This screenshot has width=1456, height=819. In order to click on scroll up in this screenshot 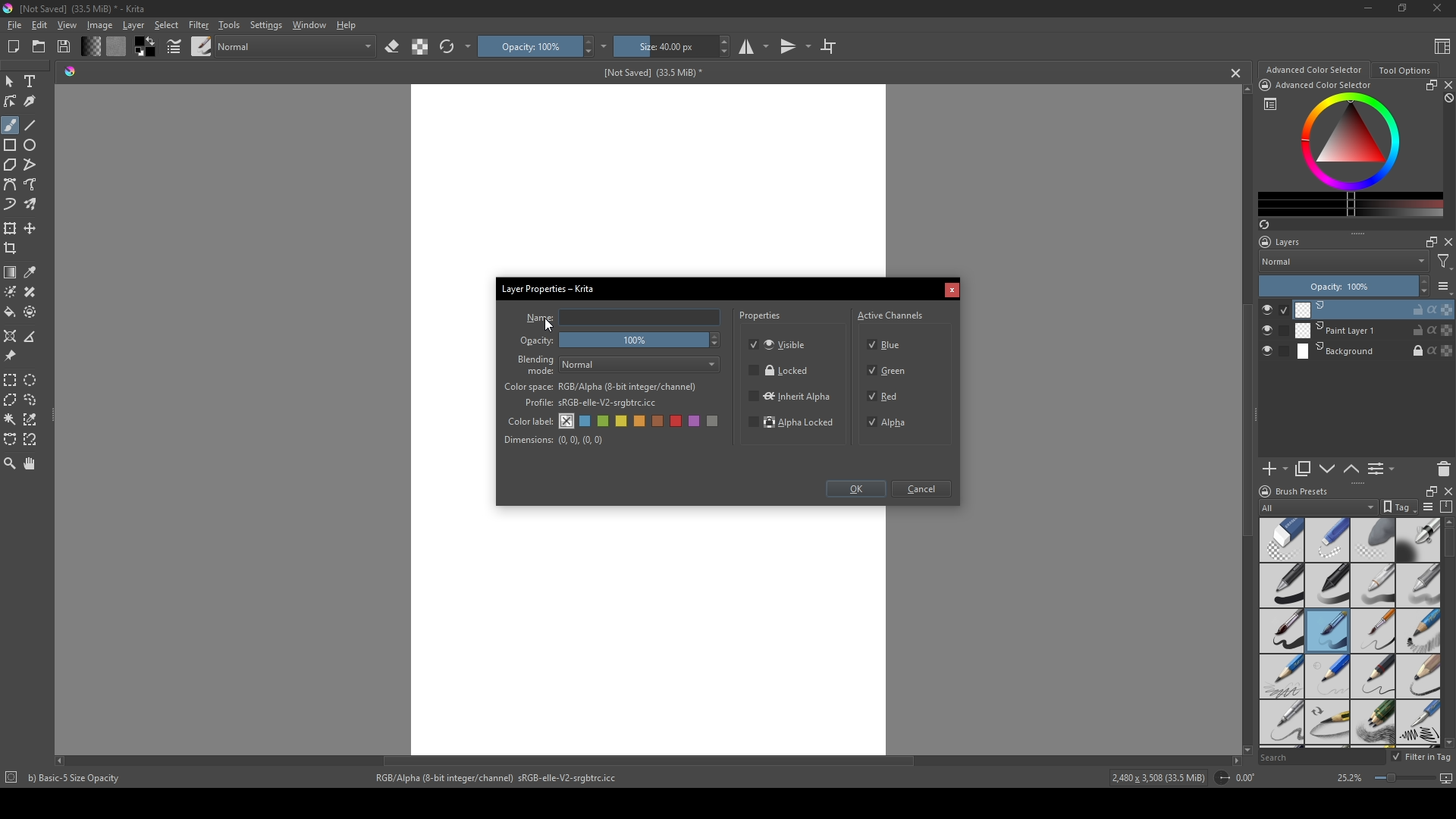, I will do `click(1244, 89)`.